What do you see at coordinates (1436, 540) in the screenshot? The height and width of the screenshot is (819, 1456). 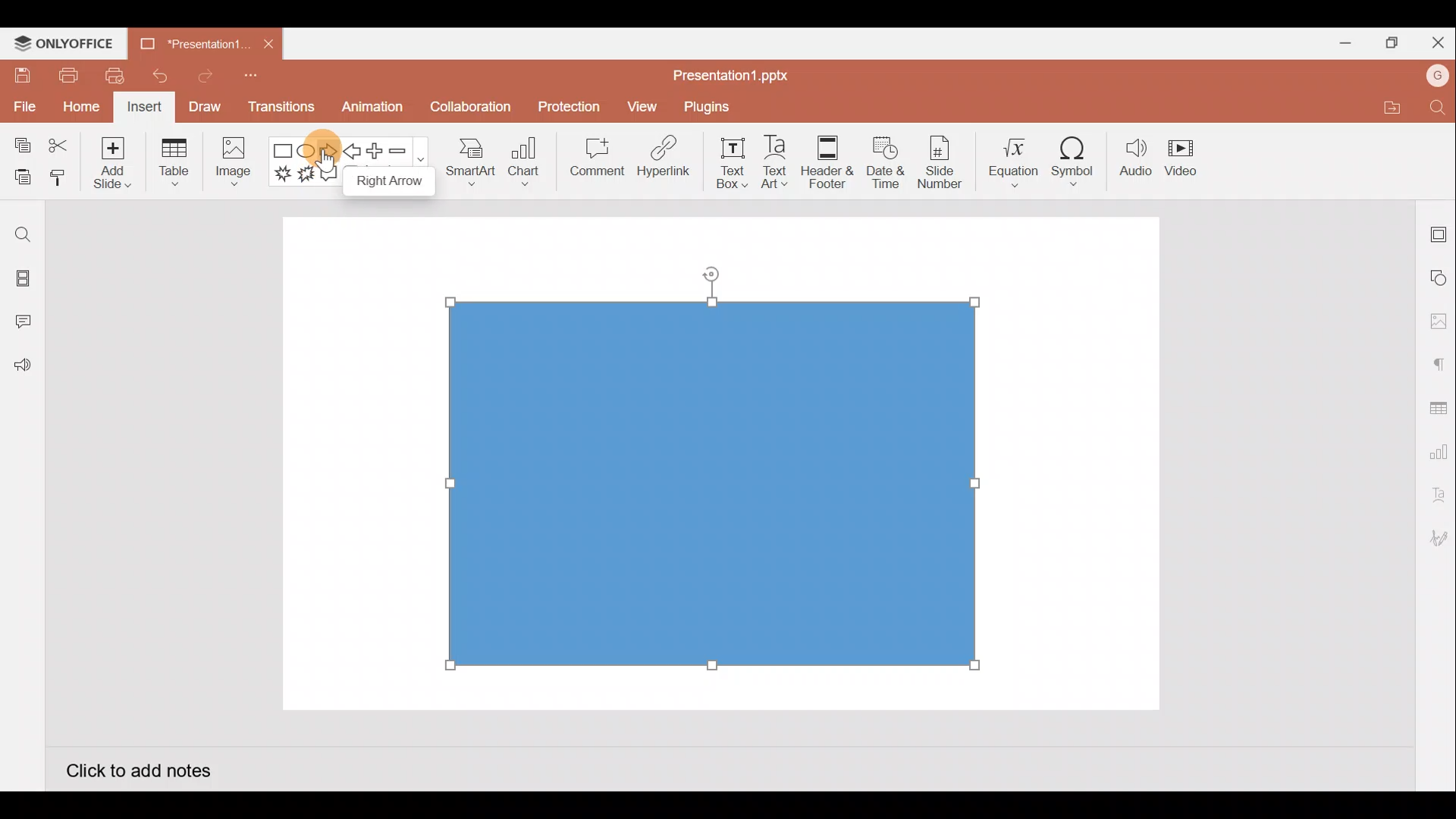 I see `Signature settings` at bounding box center [1436, 540].